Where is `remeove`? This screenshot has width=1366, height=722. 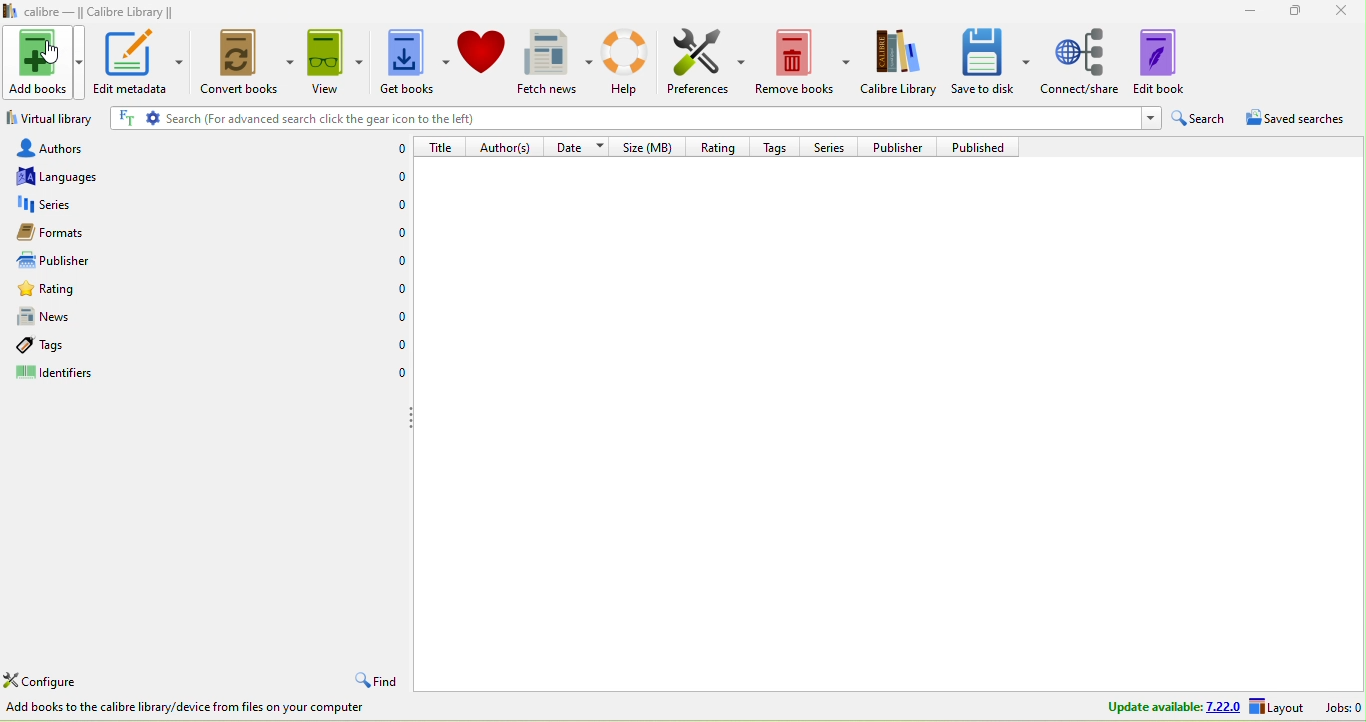 remeove is located at coordinates (802, 63).